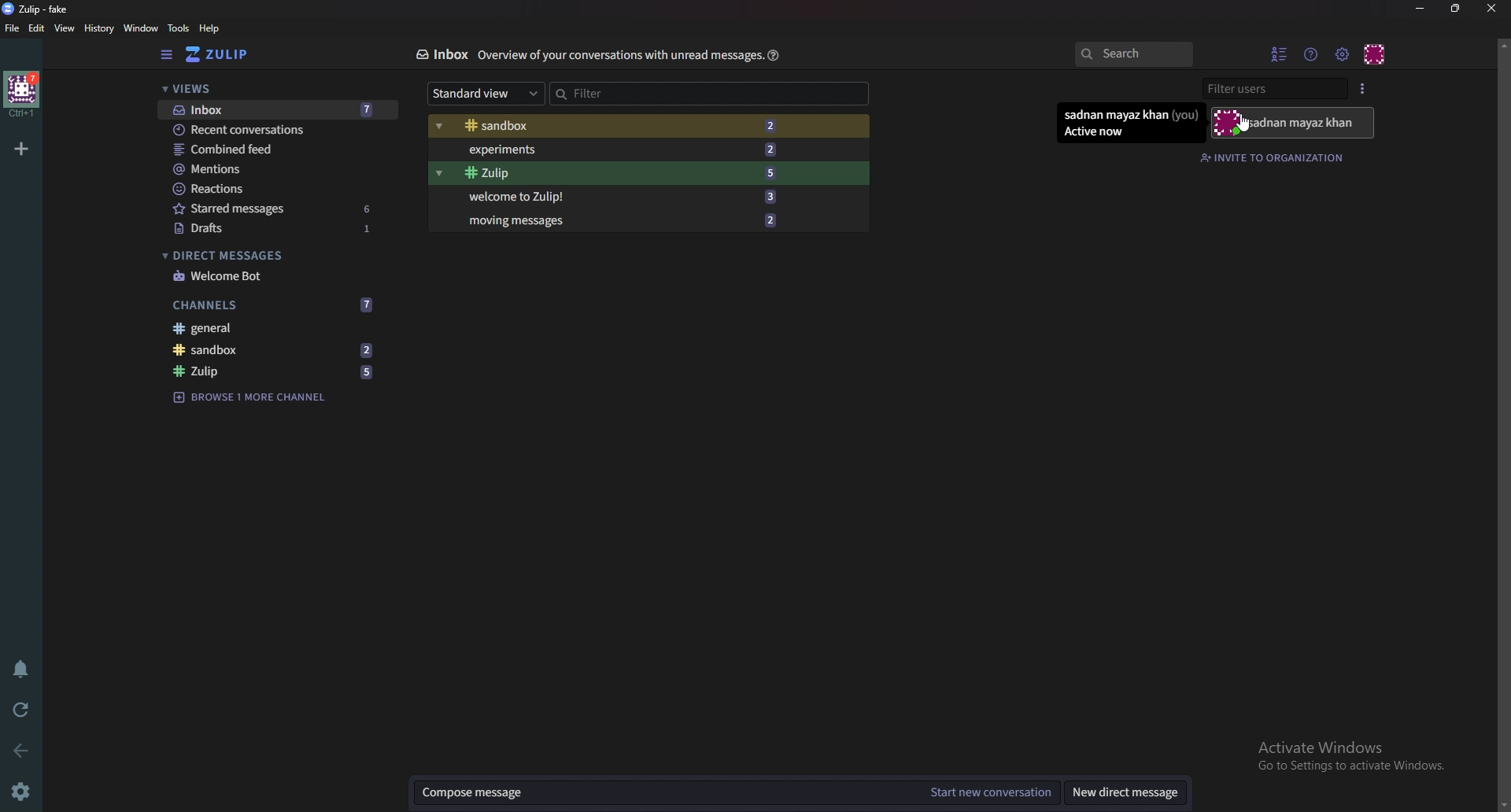 The image size is (1511, 812). What do you see at coordinates (1125, 793) in the screenshot?
I see `New direct message` at bounding box center [1125, 793].